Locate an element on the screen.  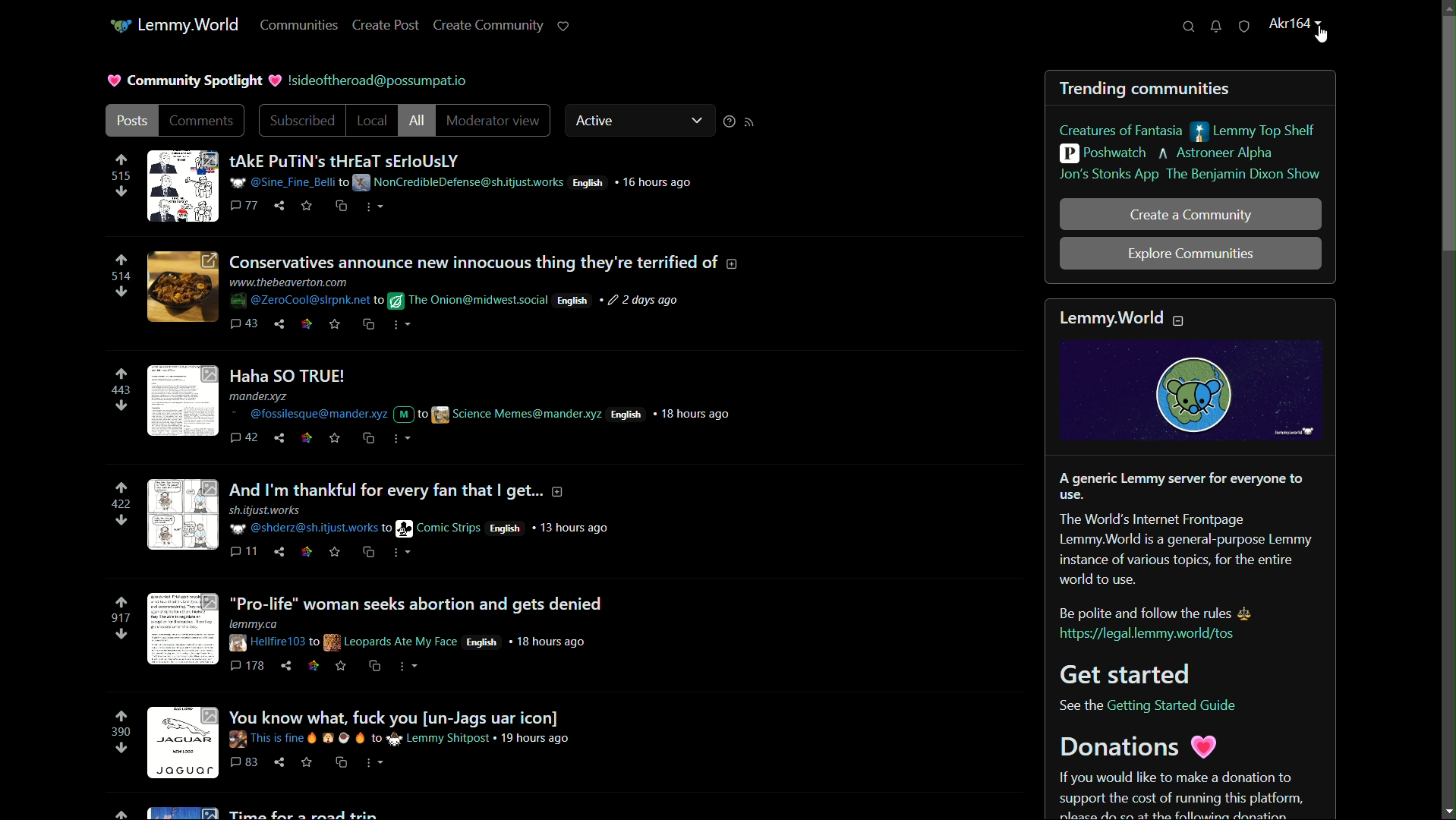
upvote is located at coordinates (121, 159).